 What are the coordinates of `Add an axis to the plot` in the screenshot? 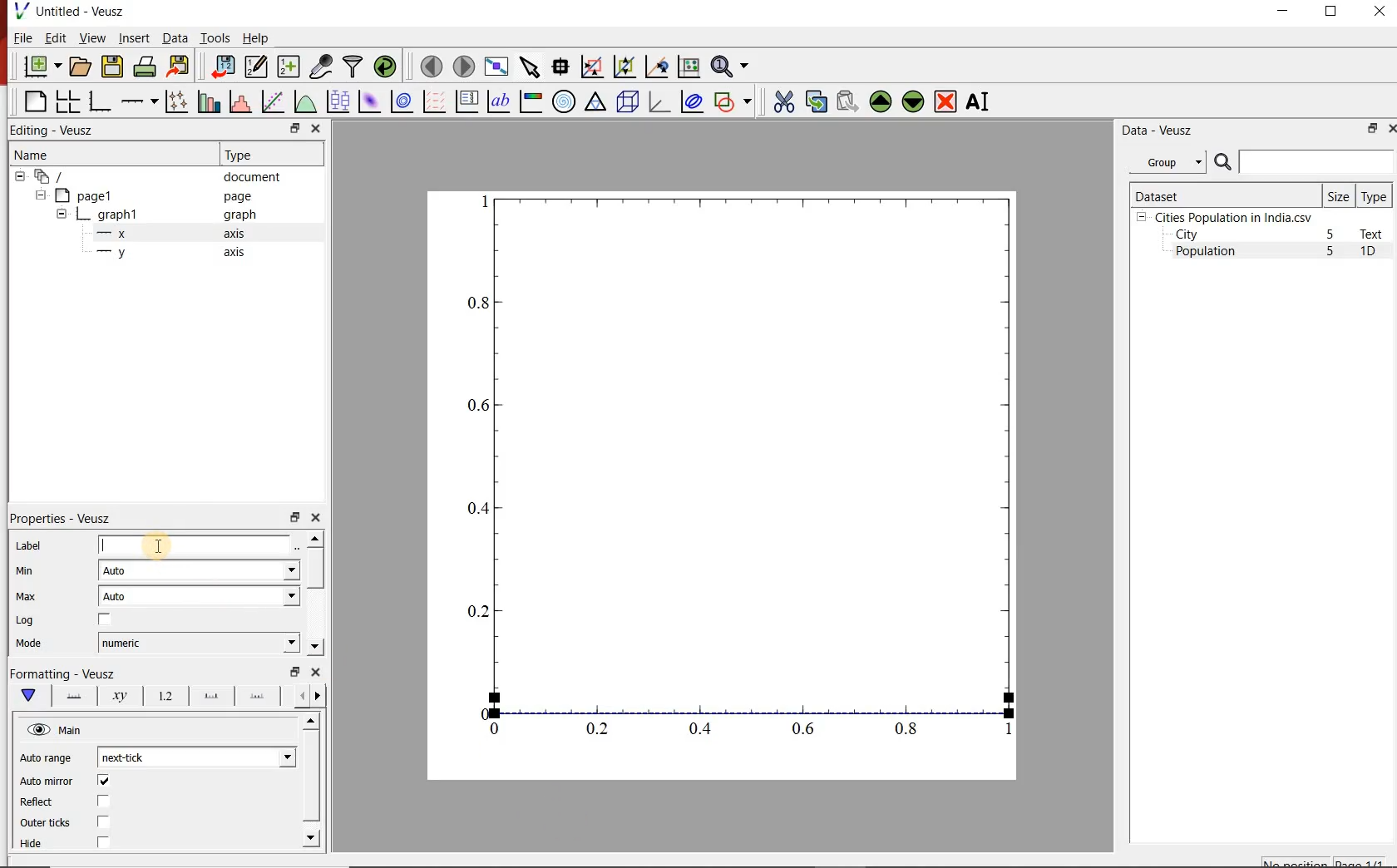 It's located at (139, 99).